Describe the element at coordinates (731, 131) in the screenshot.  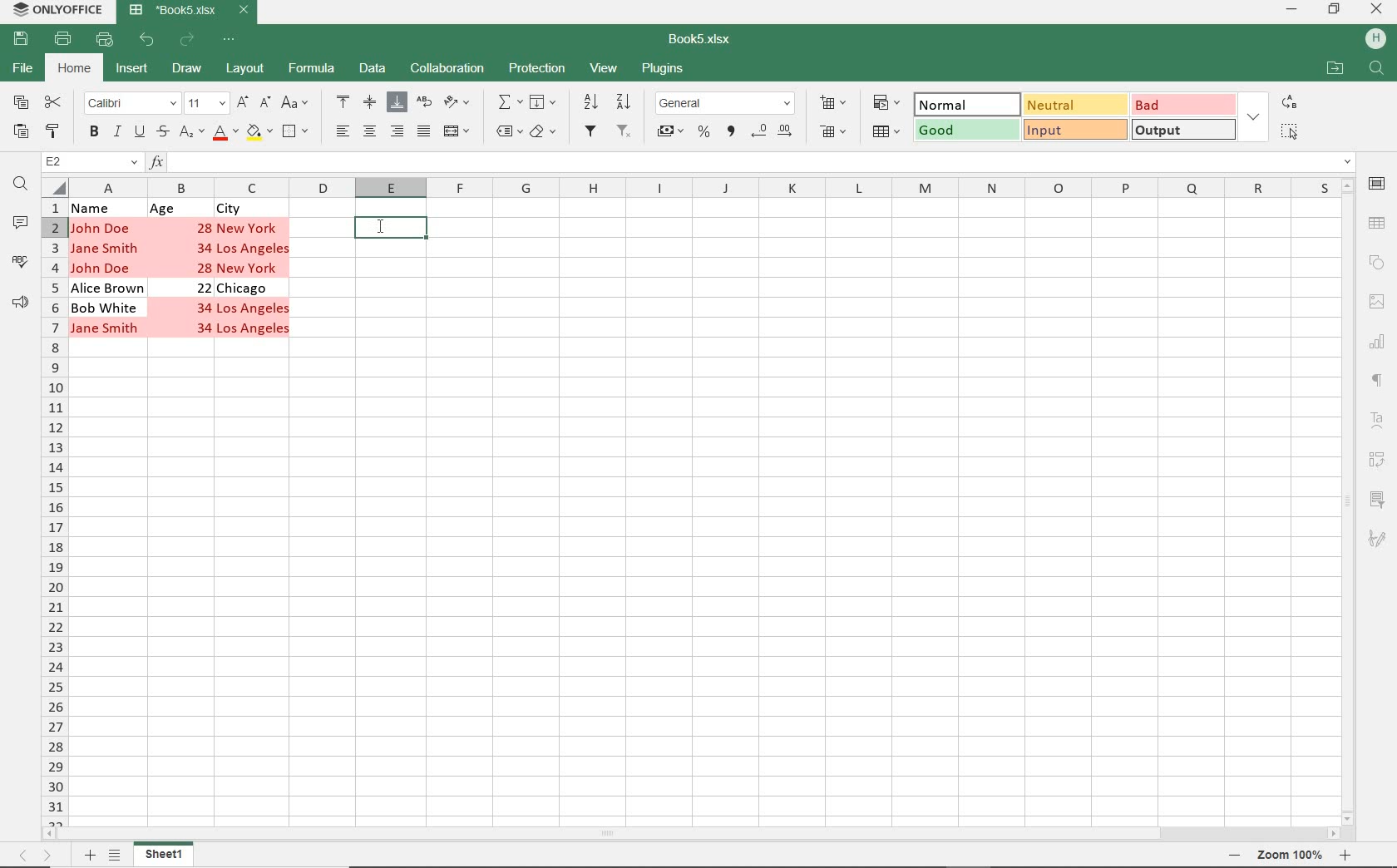
I see `COMMA STYLE` at that location.